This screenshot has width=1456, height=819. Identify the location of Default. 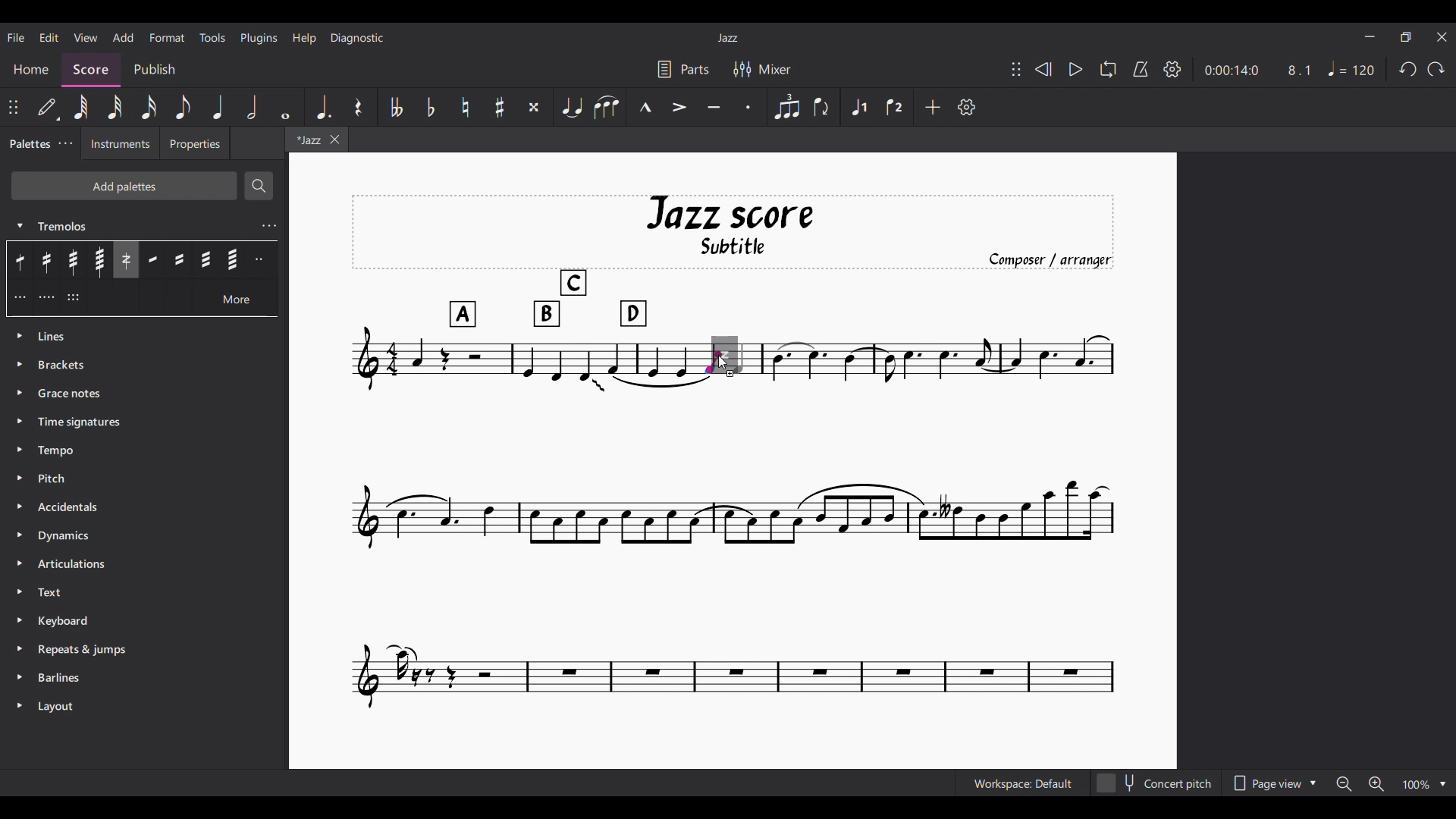
(49, 107).